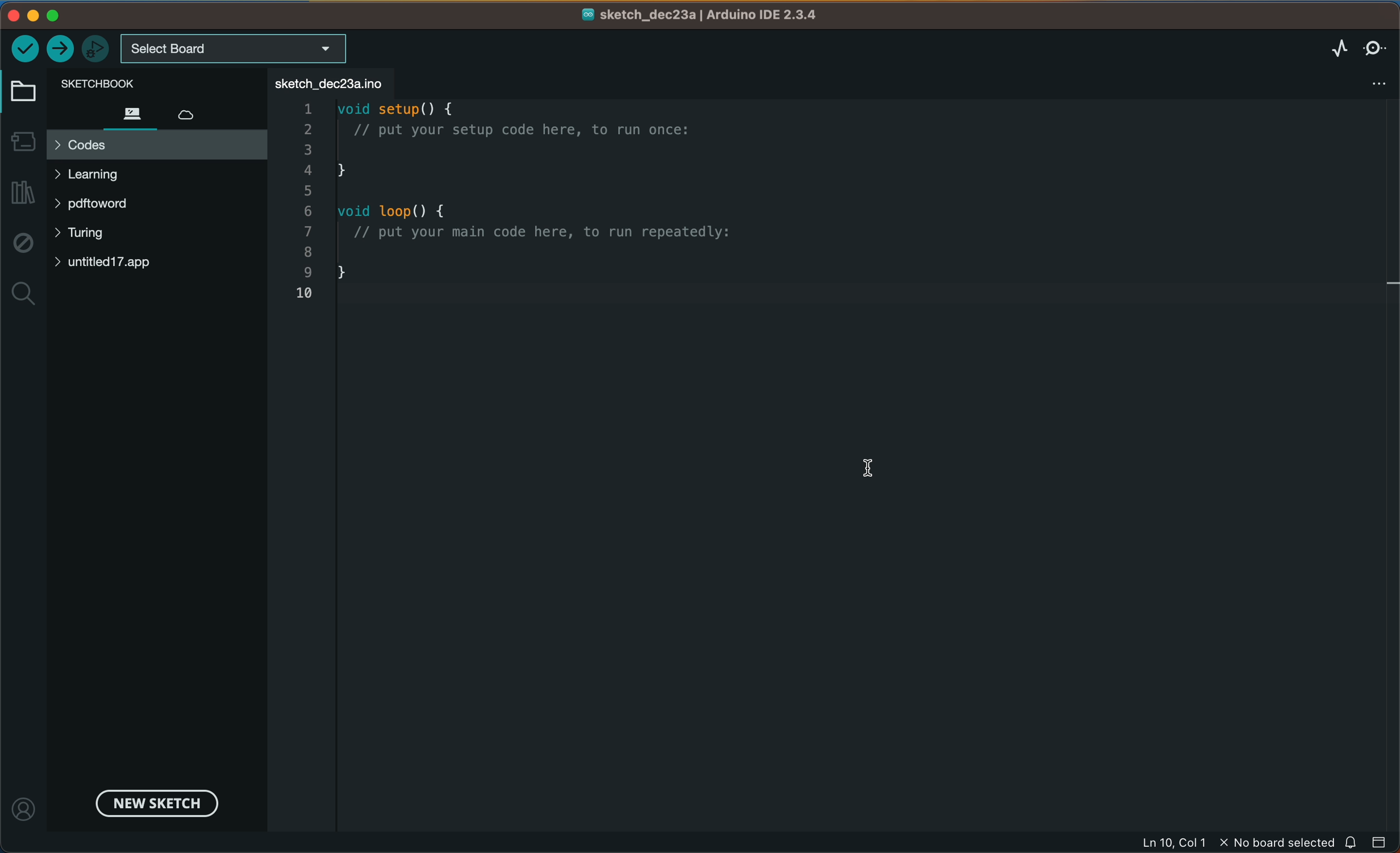 The height and width of the screenshot is (853, 1400). I want to click on folder, so click(26, 91).